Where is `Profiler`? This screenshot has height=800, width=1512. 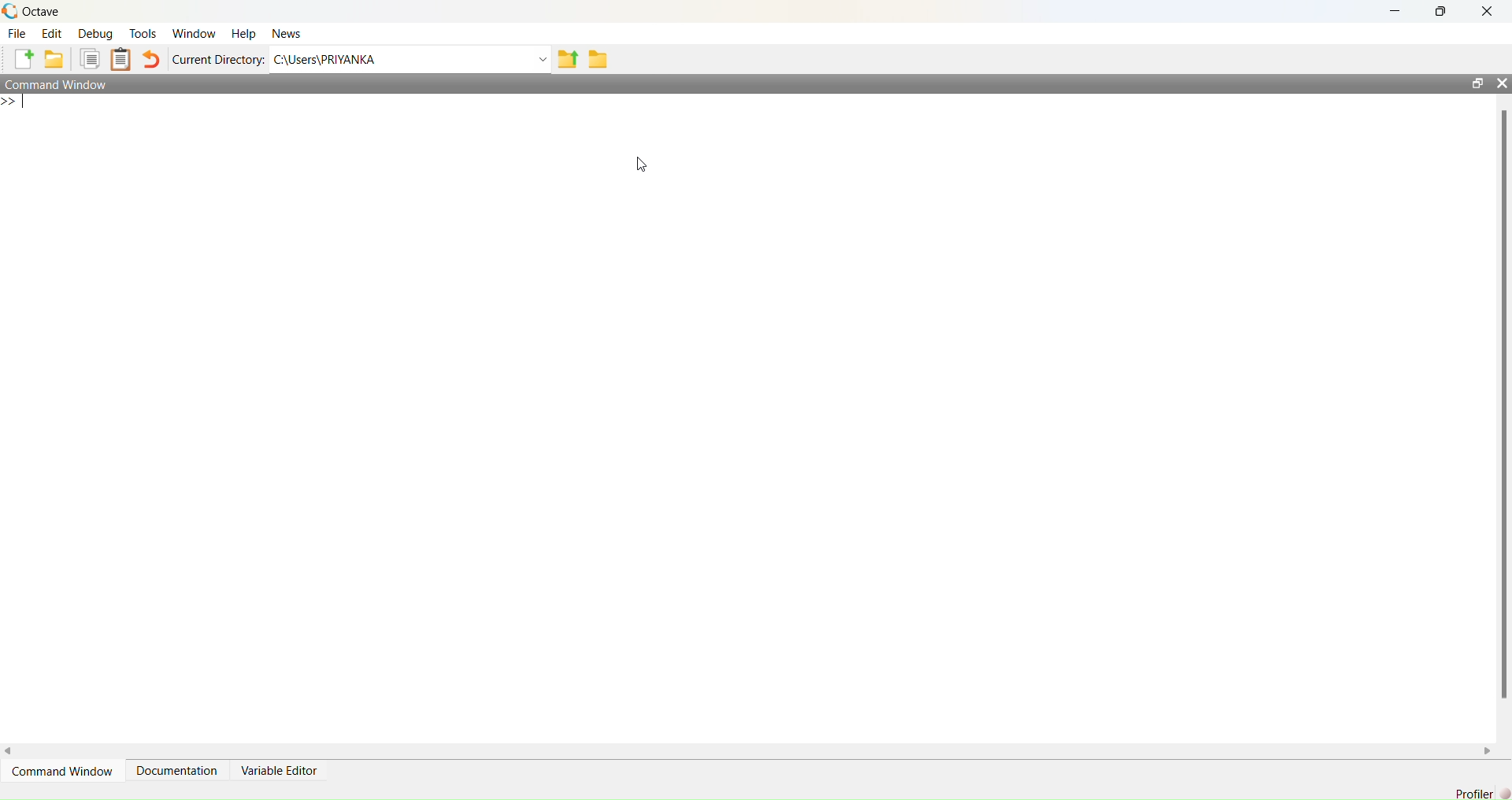
Profiler is located at coordinates (1482, 793).